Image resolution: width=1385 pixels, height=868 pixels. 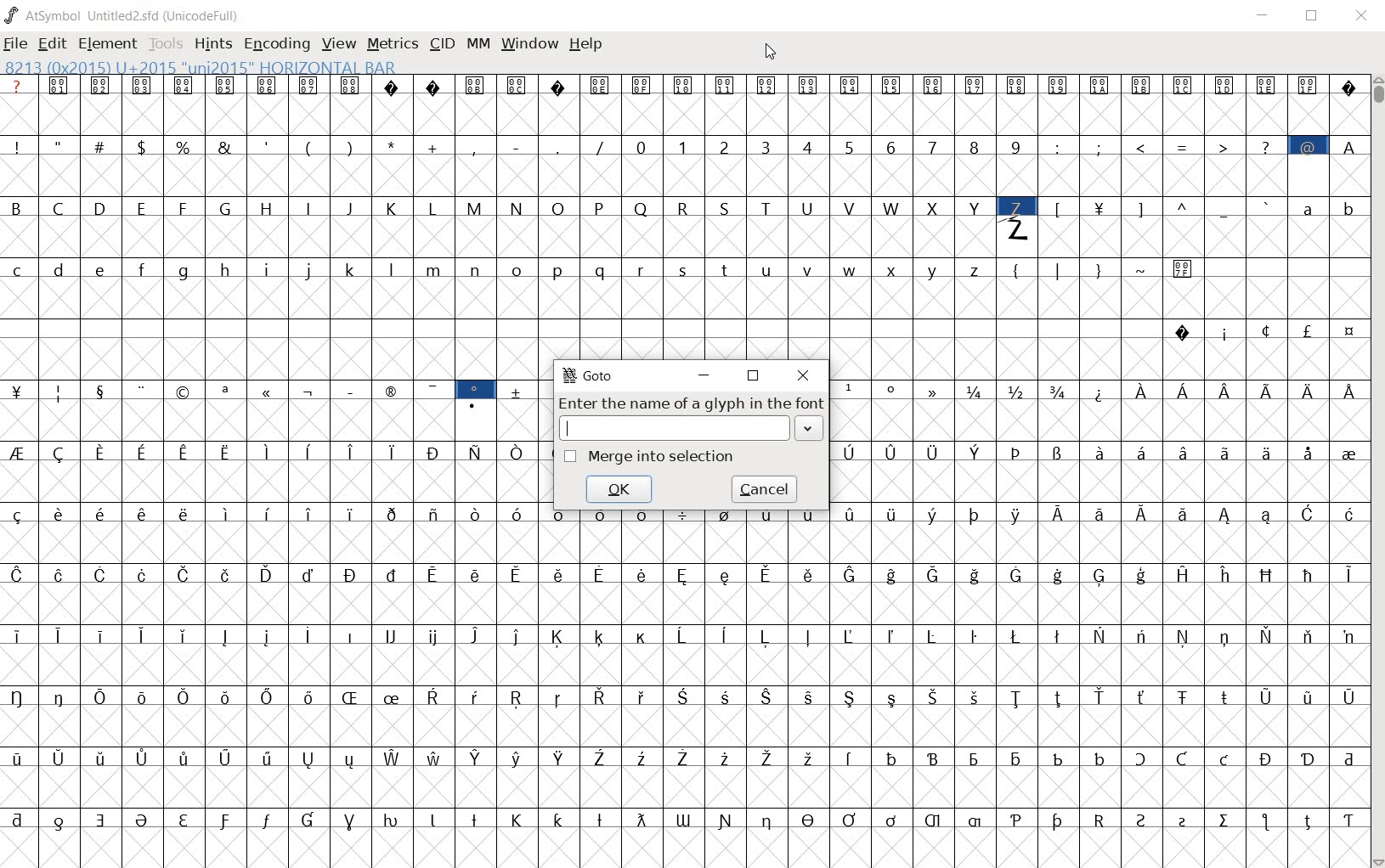 What do you see at coordinates (704, 375) in the screenshot?
I see `MINIMIZE` at bounding box center [704, 375].